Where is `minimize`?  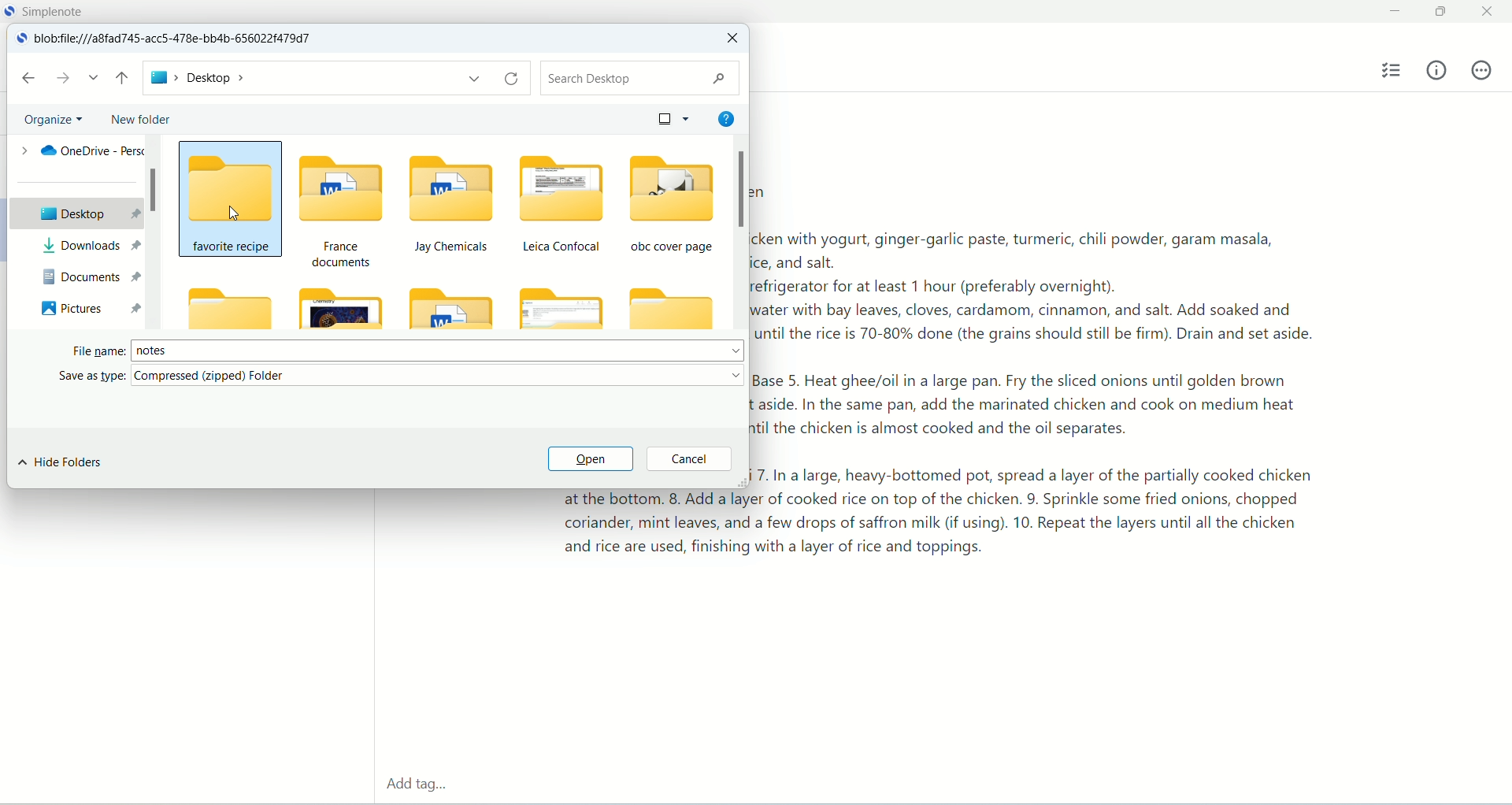
minimize is located at coordinates (1392, 12).